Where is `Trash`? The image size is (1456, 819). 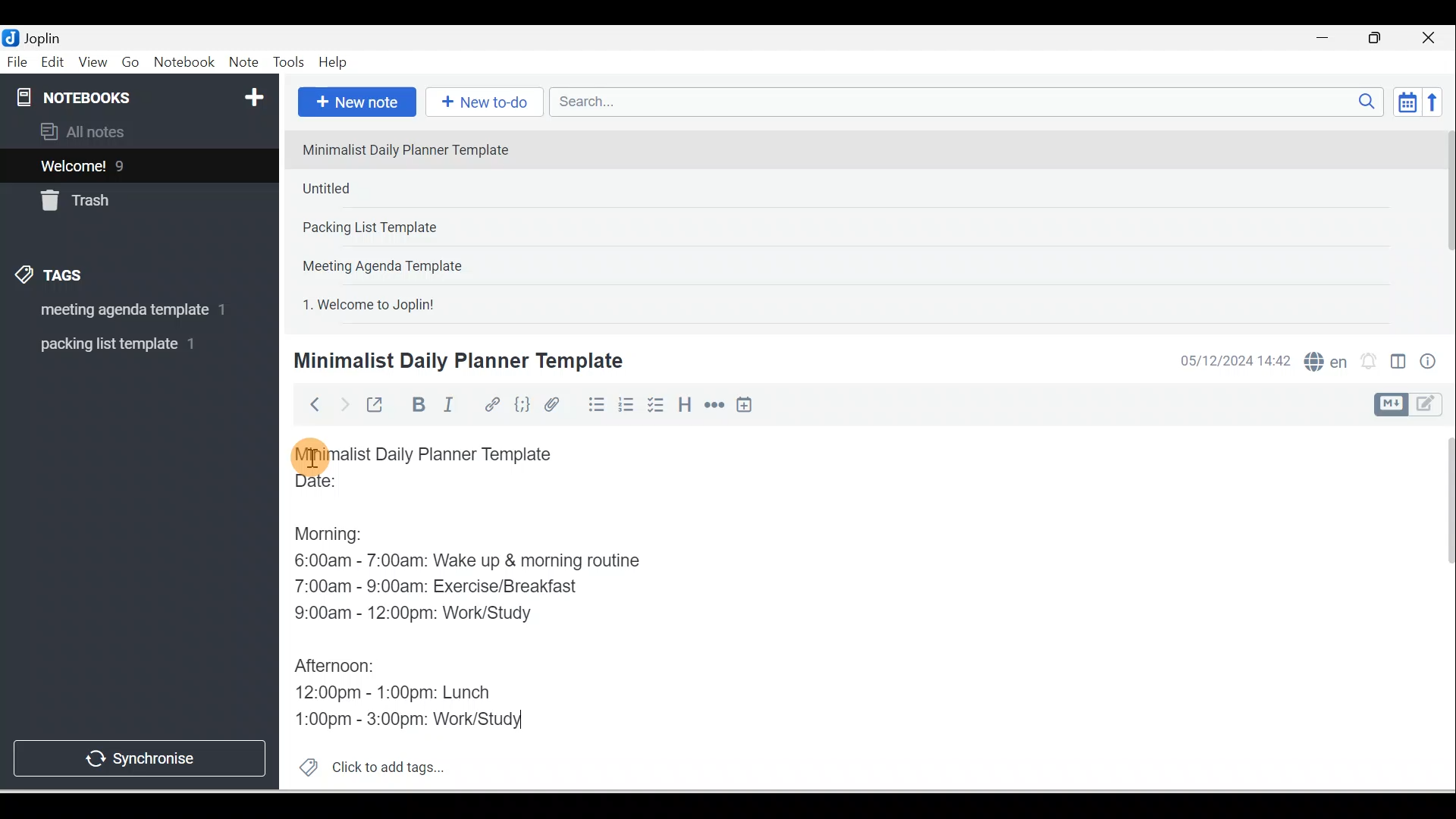
Trash is located at coordinates (111, 196).